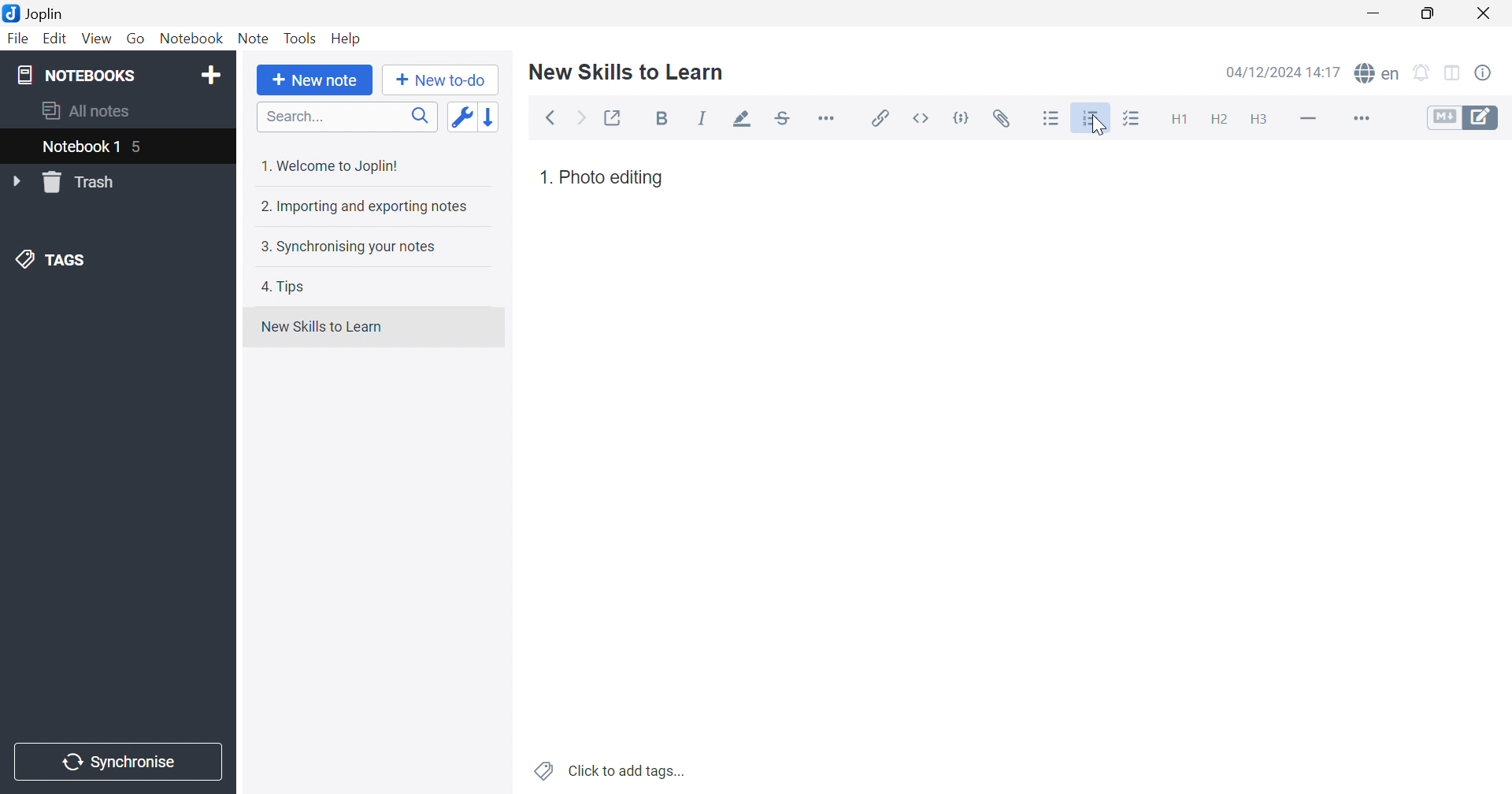  What do you see at coordinates (1455, 74) in the screenshot?
I see `Toggle editor layout` at bounding box center [1455, 74].